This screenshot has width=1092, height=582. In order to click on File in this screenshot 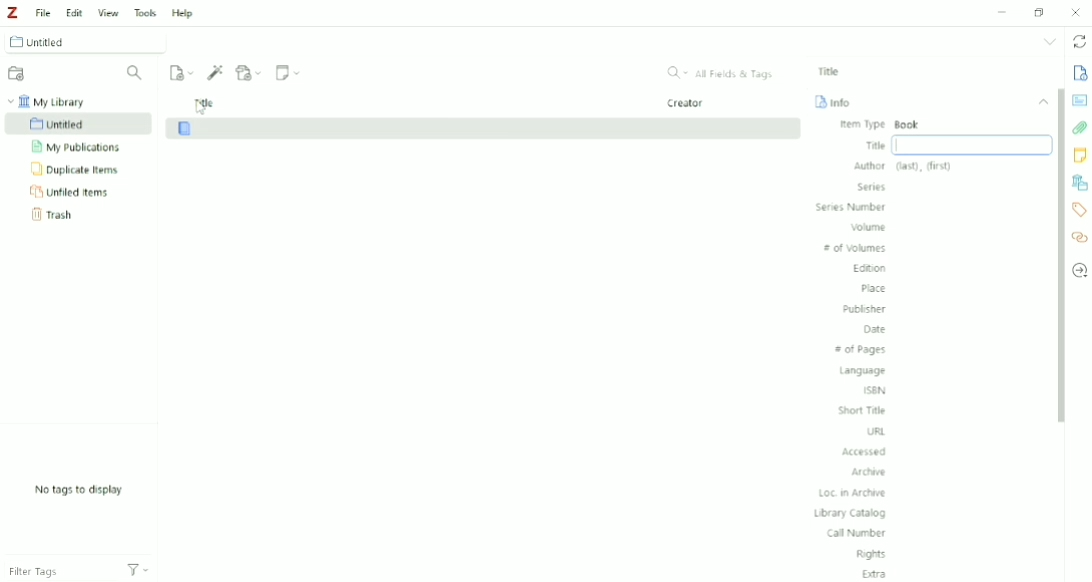, I will do `click(42, 12)`.